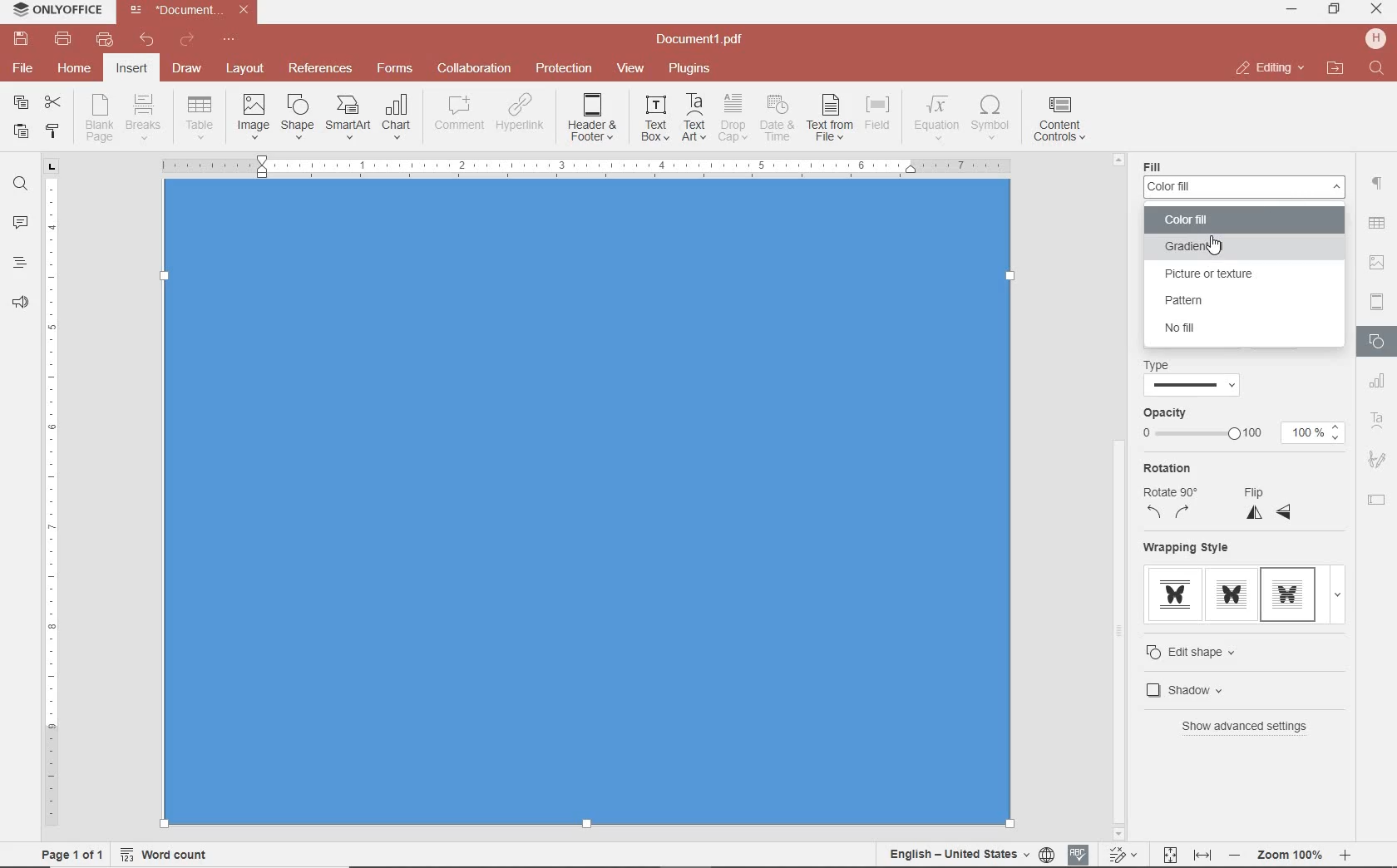 The image size is (1397, 868). What do you see at coordinates (229, 40) in the screenshot?
I see `customize quick access toolbar` at bounding box center [229, 40].